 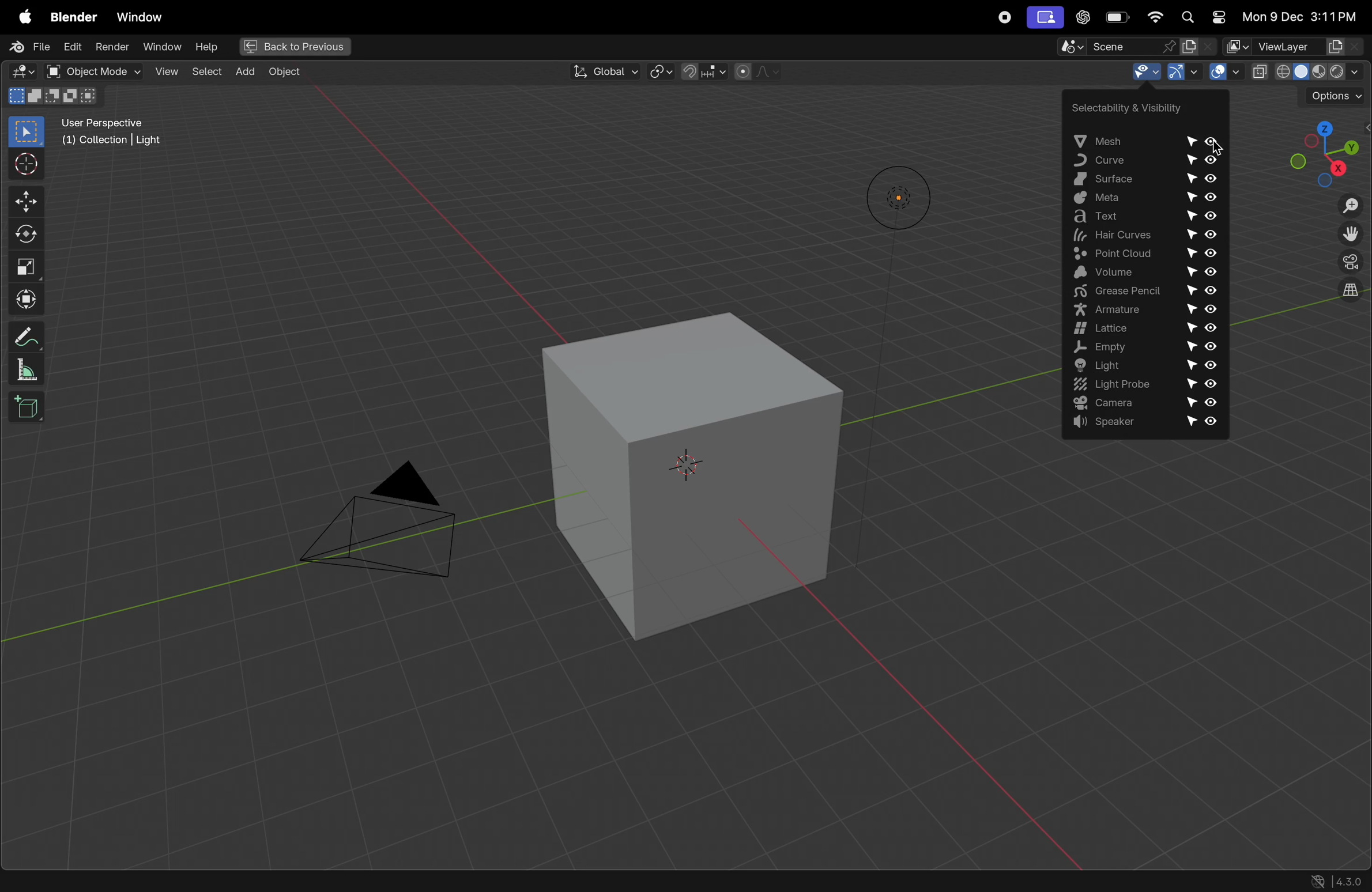 I want to click on Speaker, so click(x=1150, y=425).